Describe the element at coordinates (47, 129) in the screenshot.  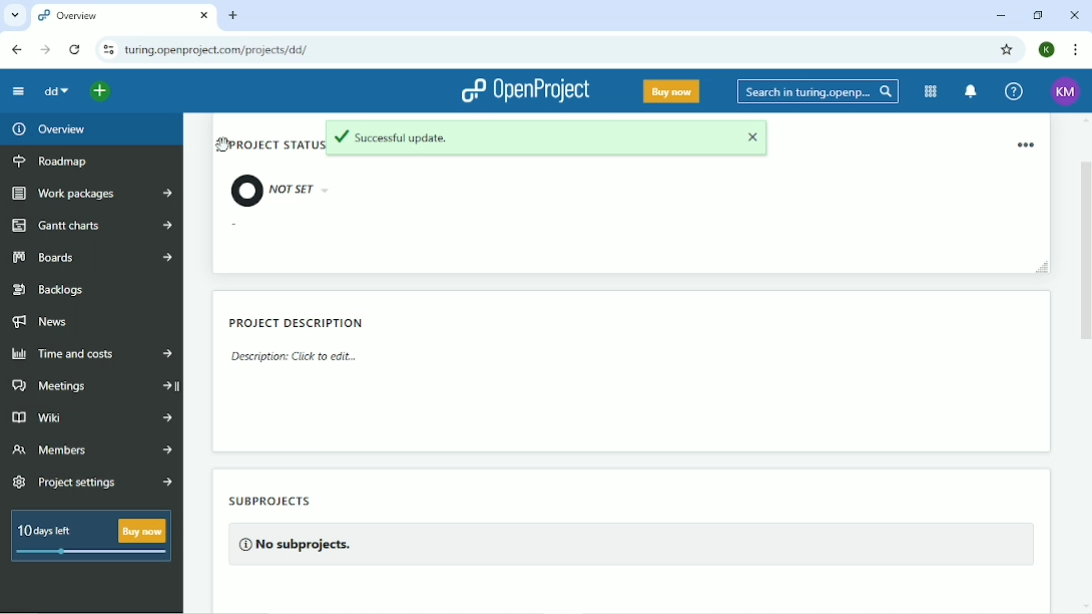
I see `Overview` at that location.